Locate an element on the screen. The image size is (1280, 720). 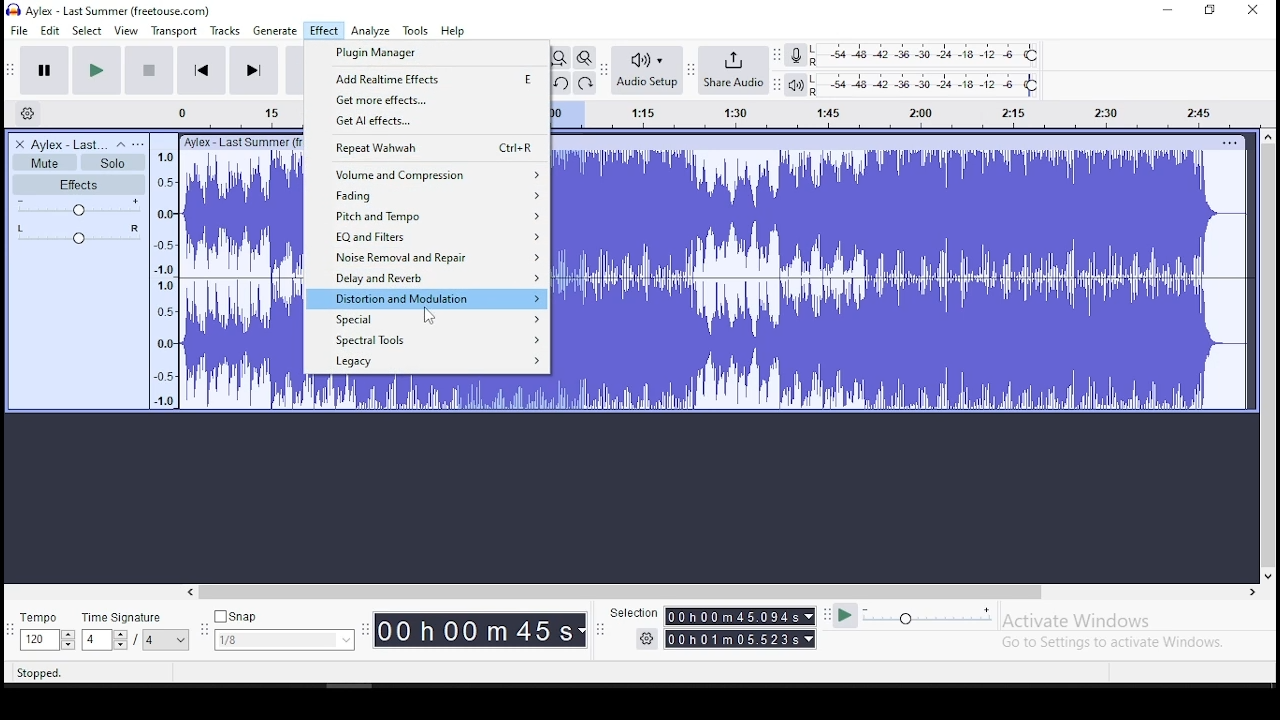
spectral tools is located at coordinates (426, 341).